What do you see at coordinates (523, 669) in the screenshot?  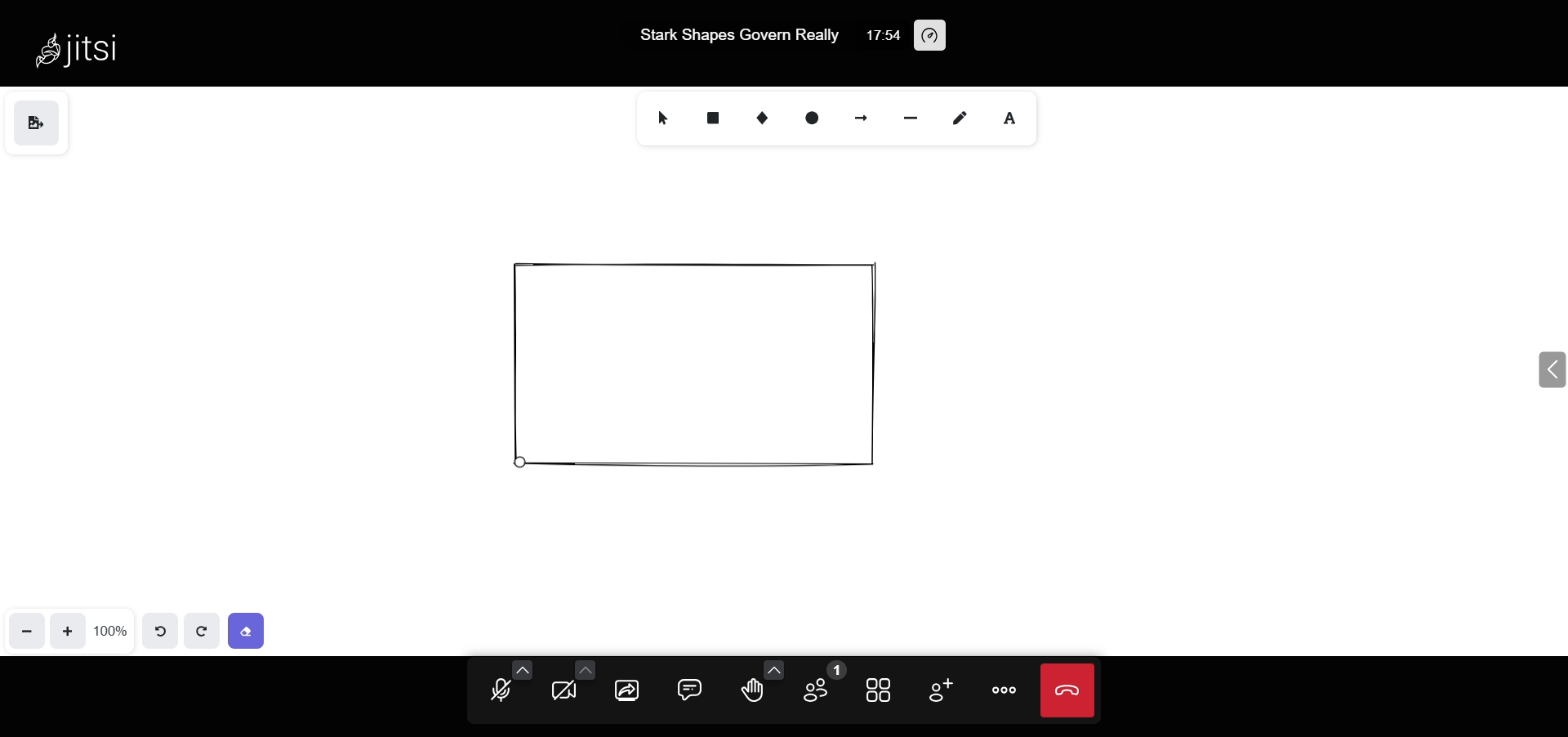 I see `more audio option` at bounding box center [523, 669].